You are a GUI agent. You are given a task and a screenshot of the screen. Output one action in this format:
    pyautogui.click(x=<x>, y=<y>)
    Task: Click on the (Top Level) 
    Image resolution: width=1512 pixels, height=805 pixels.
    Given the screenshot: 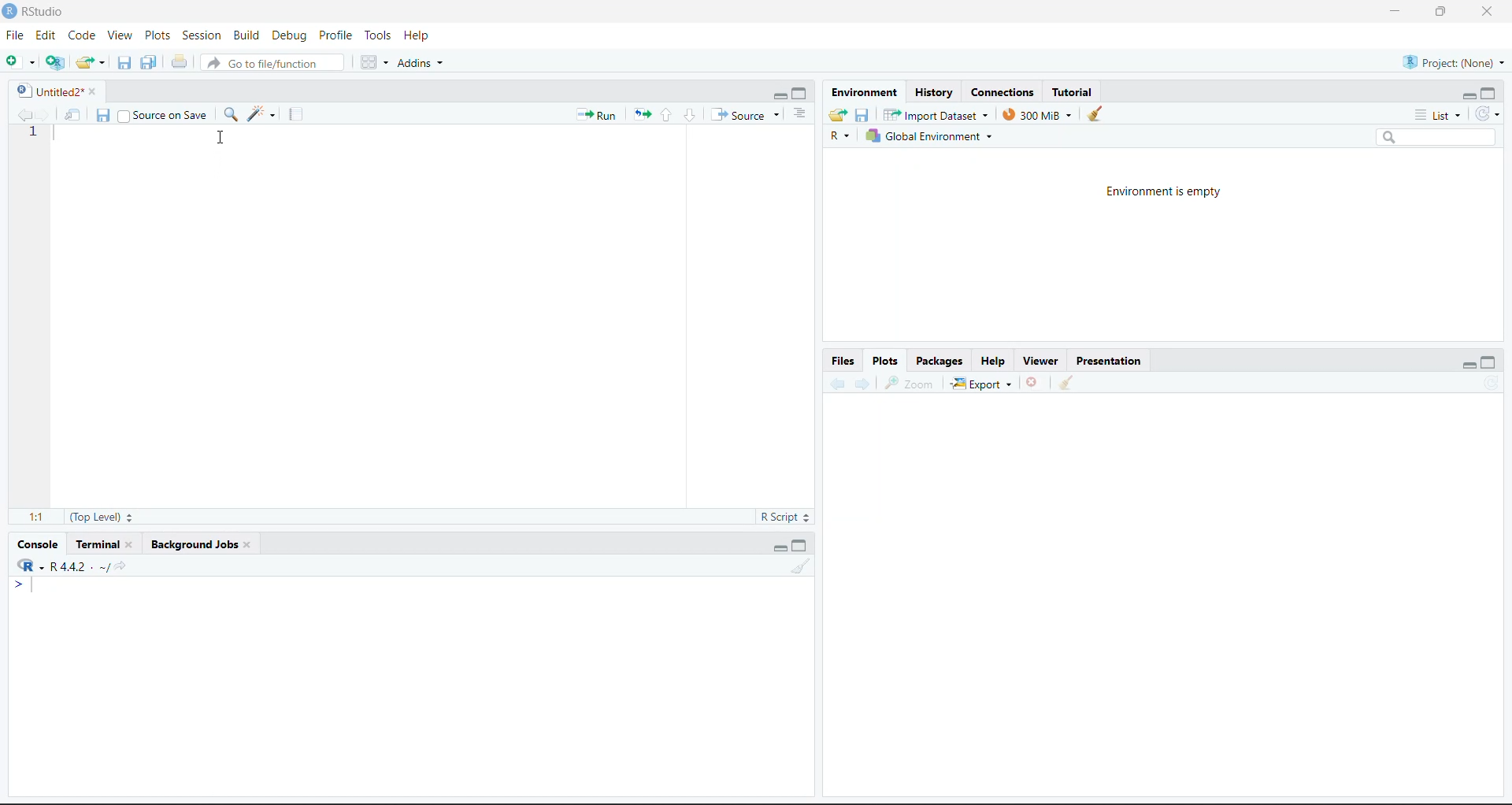 What is the action you would take?
    pyautogui.click(x=101, y=517)
    